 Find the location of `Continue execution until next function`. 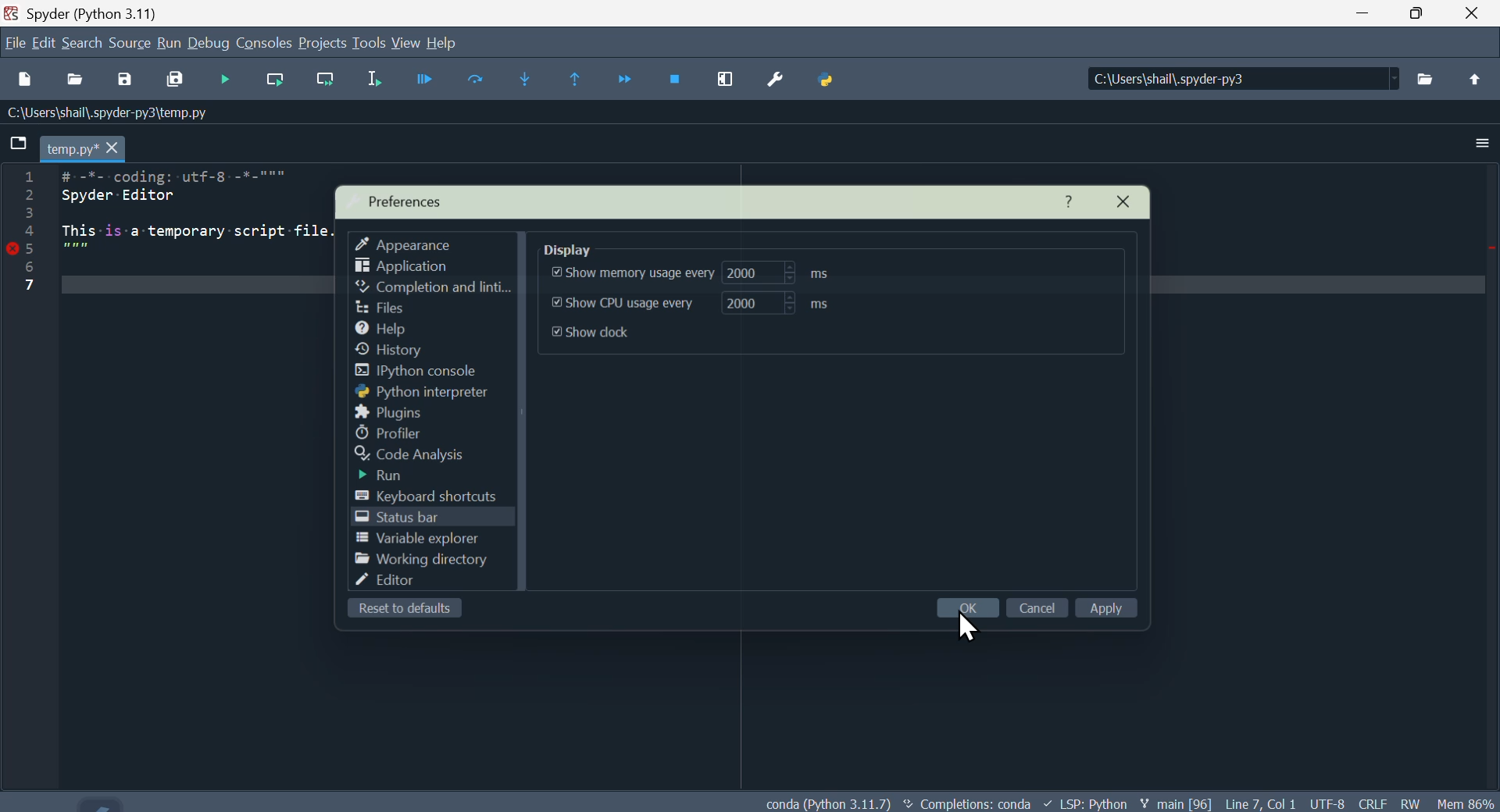

Continue execution until next function is located at coordinates (627, 78).